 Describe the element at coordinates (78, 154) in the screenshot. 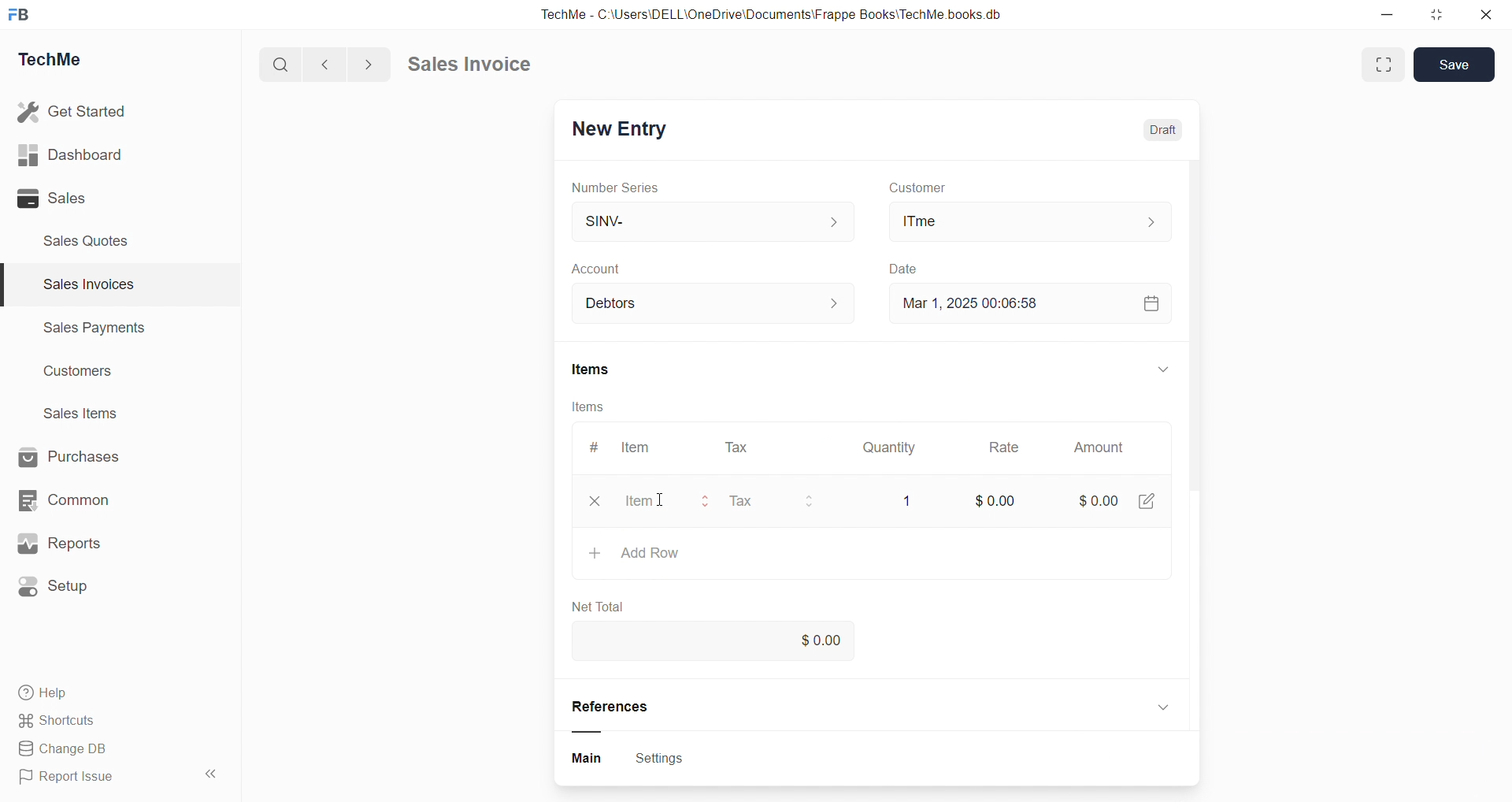

I see `ull Dashboard` at that location.